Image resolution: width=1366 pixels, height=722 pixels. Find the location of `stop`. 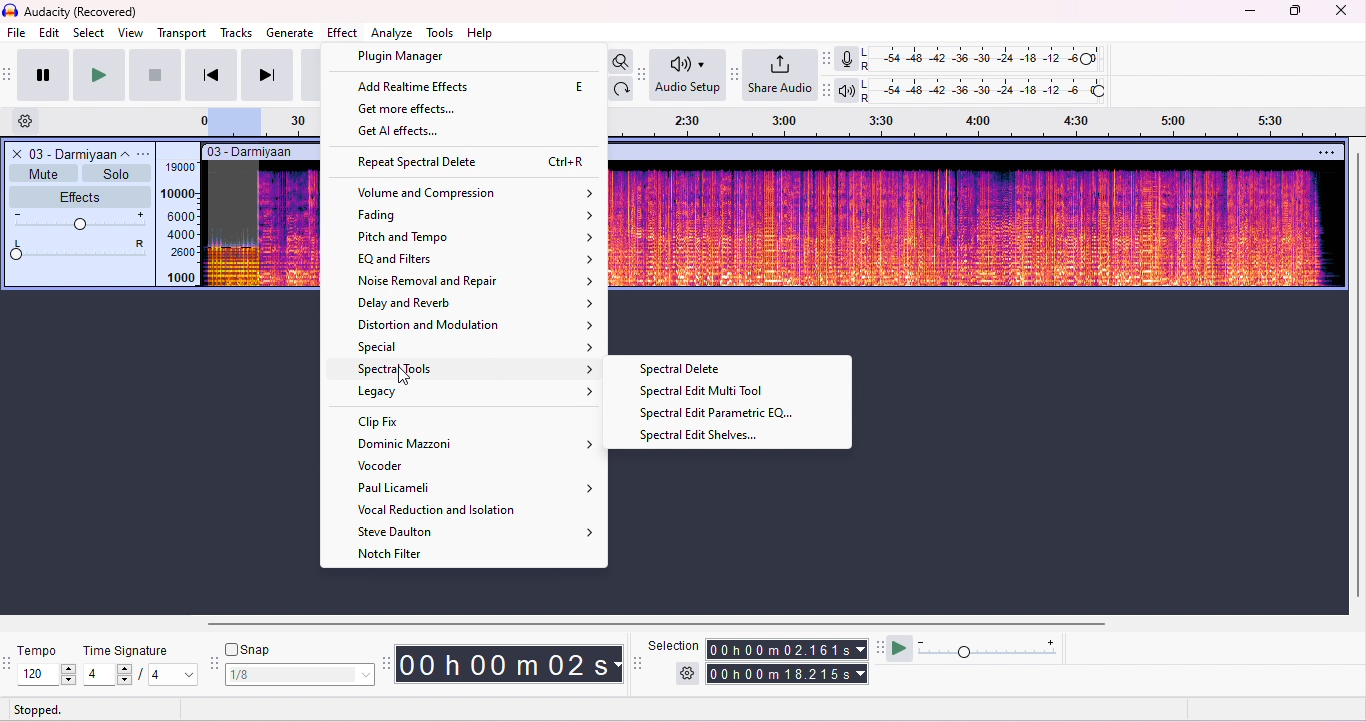

stop is located at coordinates (155, 74).